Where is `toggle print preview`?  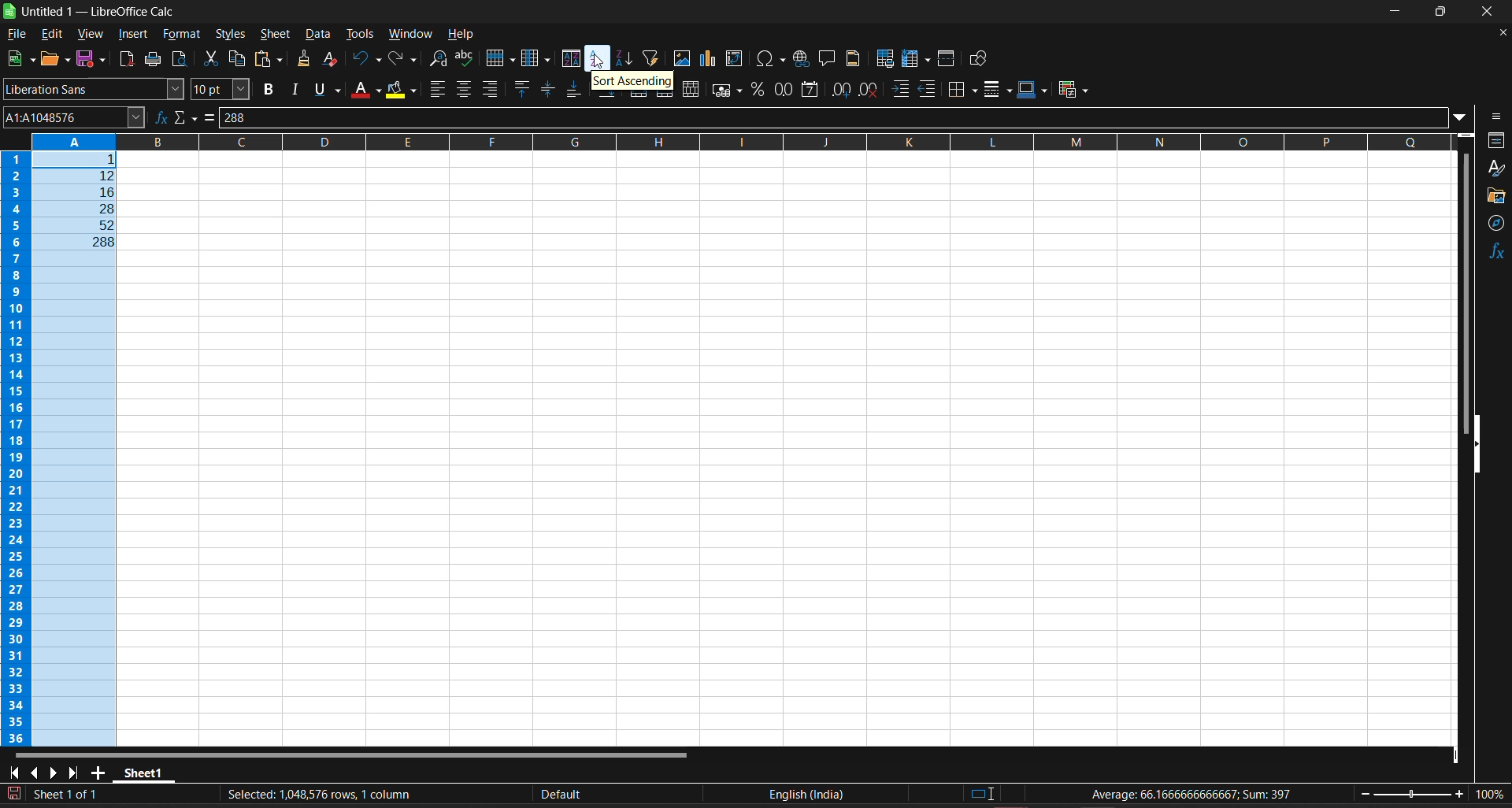
toggle print preview is located at coordinates (180, 58).